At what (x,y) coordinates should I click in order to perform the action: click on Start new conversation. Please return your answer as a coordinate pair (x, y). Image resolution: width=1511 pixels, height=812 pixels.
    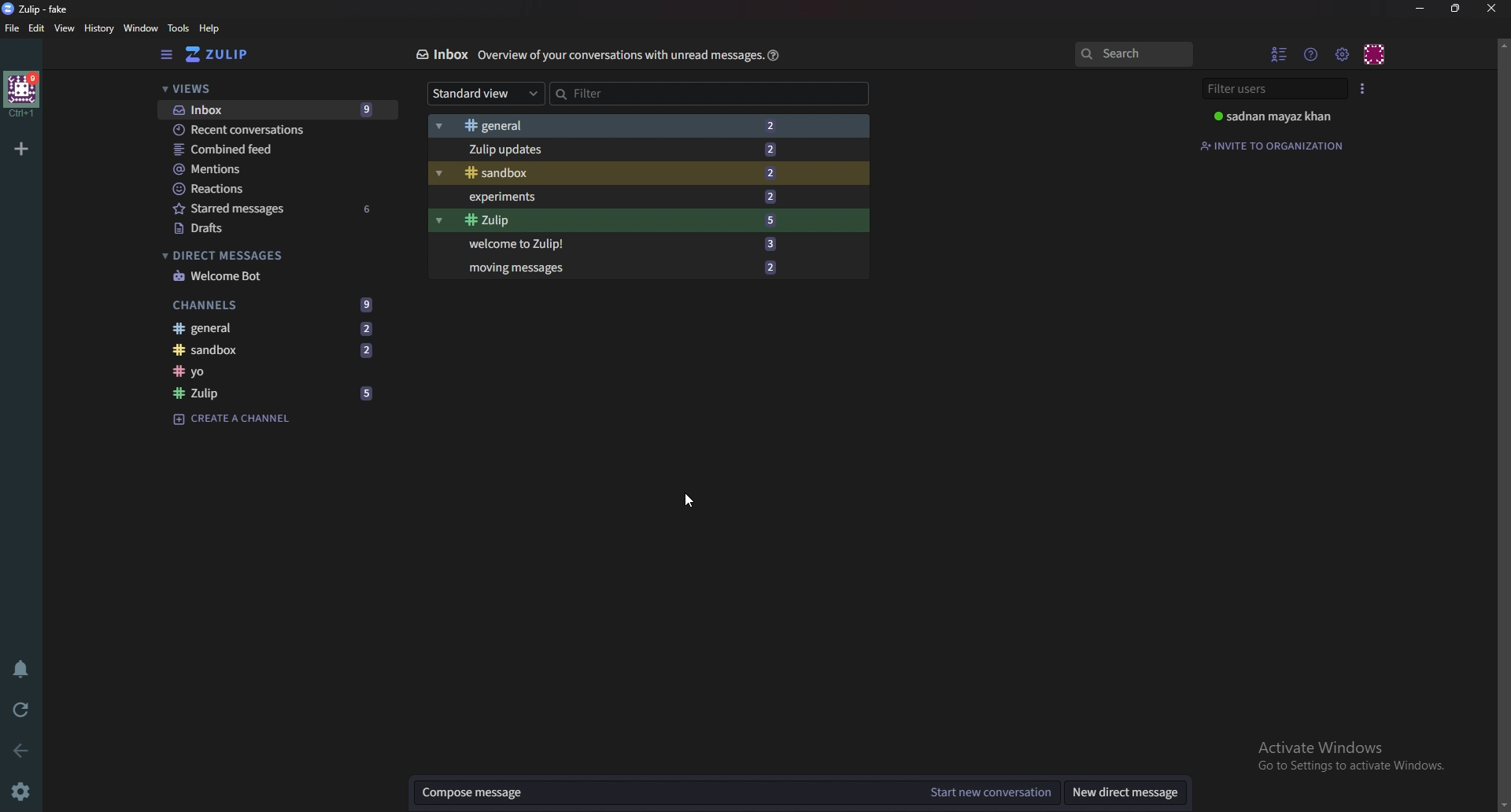
    Looking at the image, I should click on (988, 791).